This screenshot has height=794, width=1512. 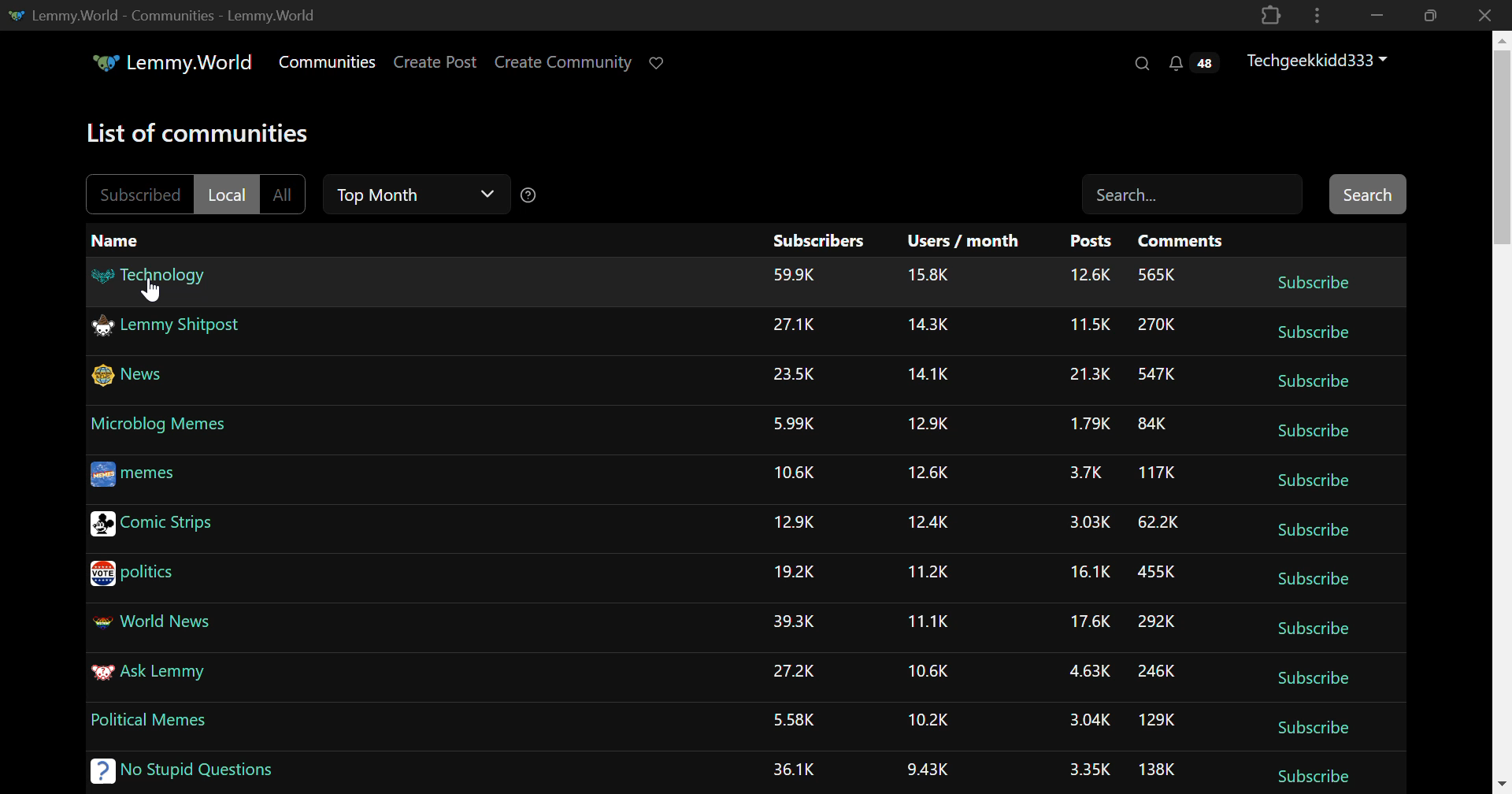 I want to click on Users/month, so click(x=967, y=242).